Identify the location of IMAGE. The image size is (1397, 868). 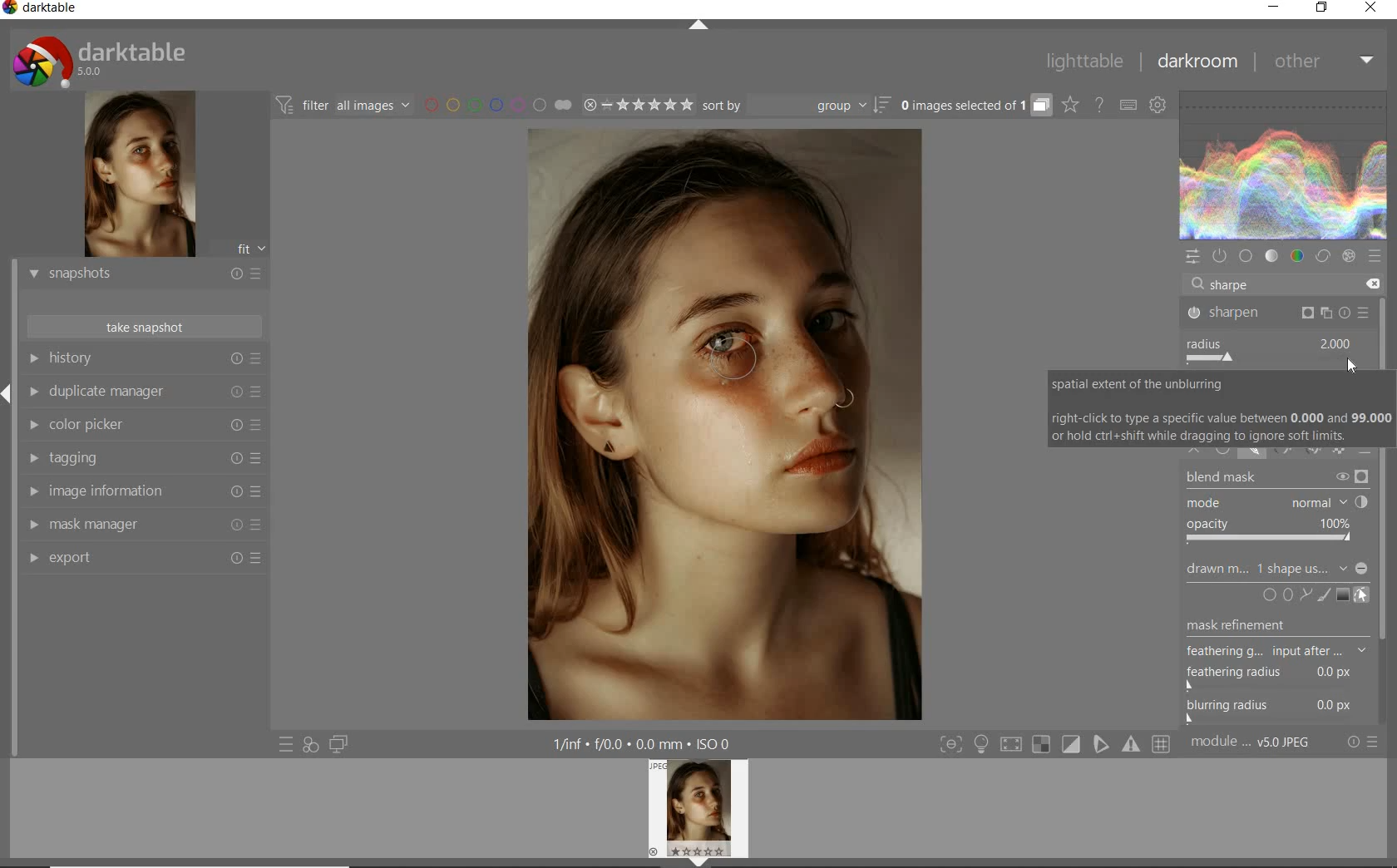
(703, 811).